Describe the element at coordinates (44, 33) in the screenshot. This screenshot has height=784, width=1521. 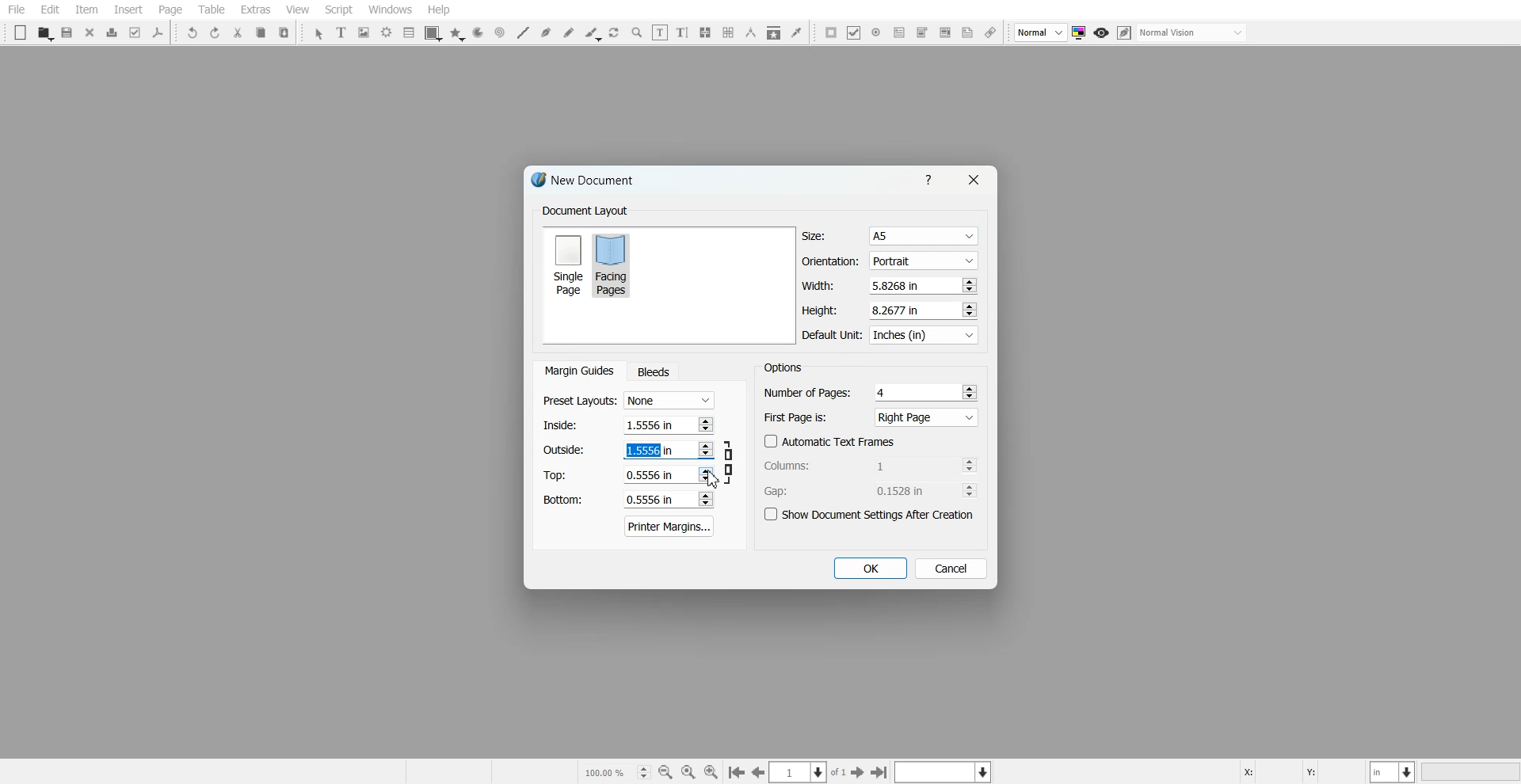
I see `Open` at that location.